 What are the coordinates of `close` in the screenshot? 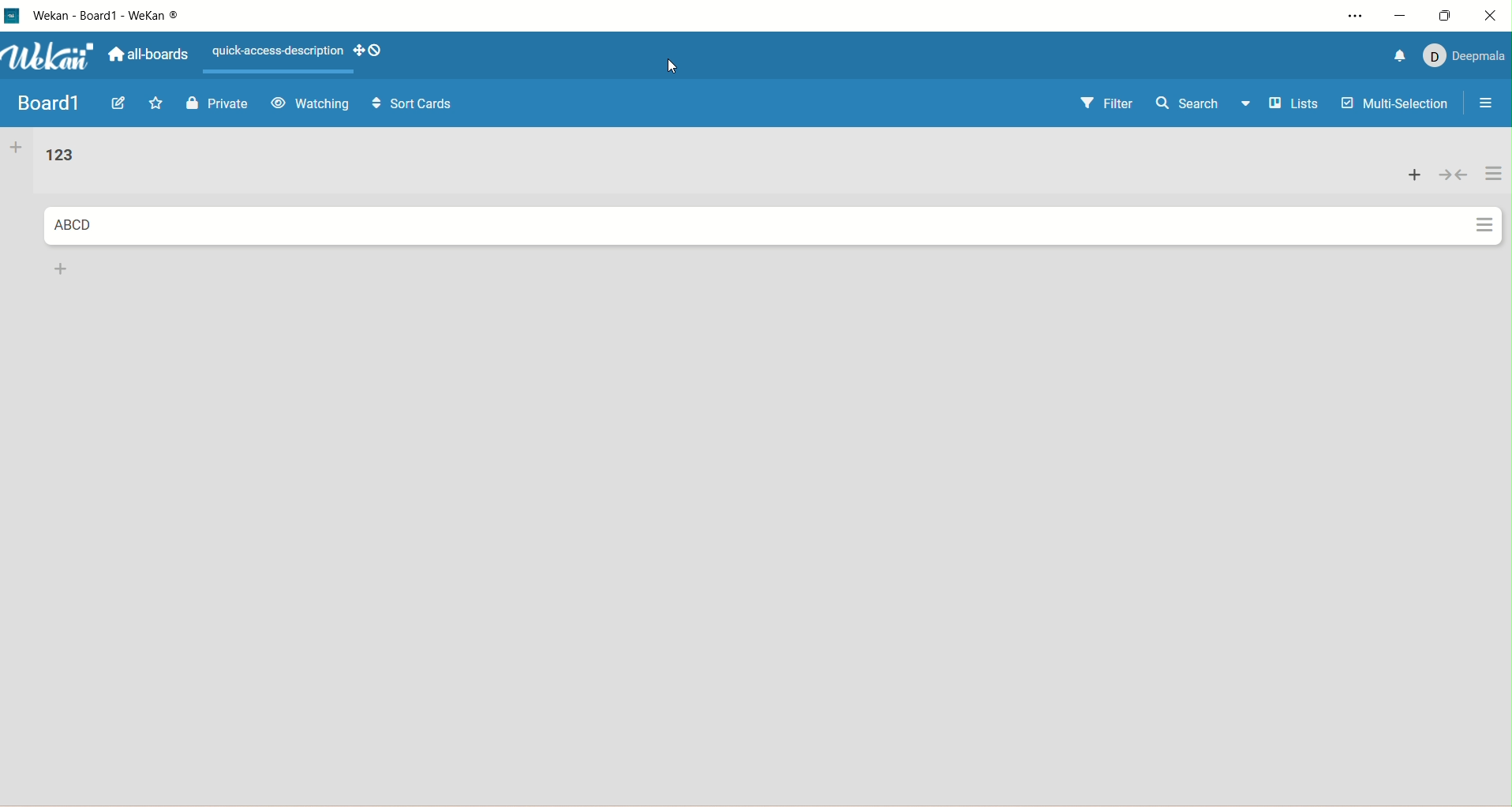 It's located at (1495, 13).